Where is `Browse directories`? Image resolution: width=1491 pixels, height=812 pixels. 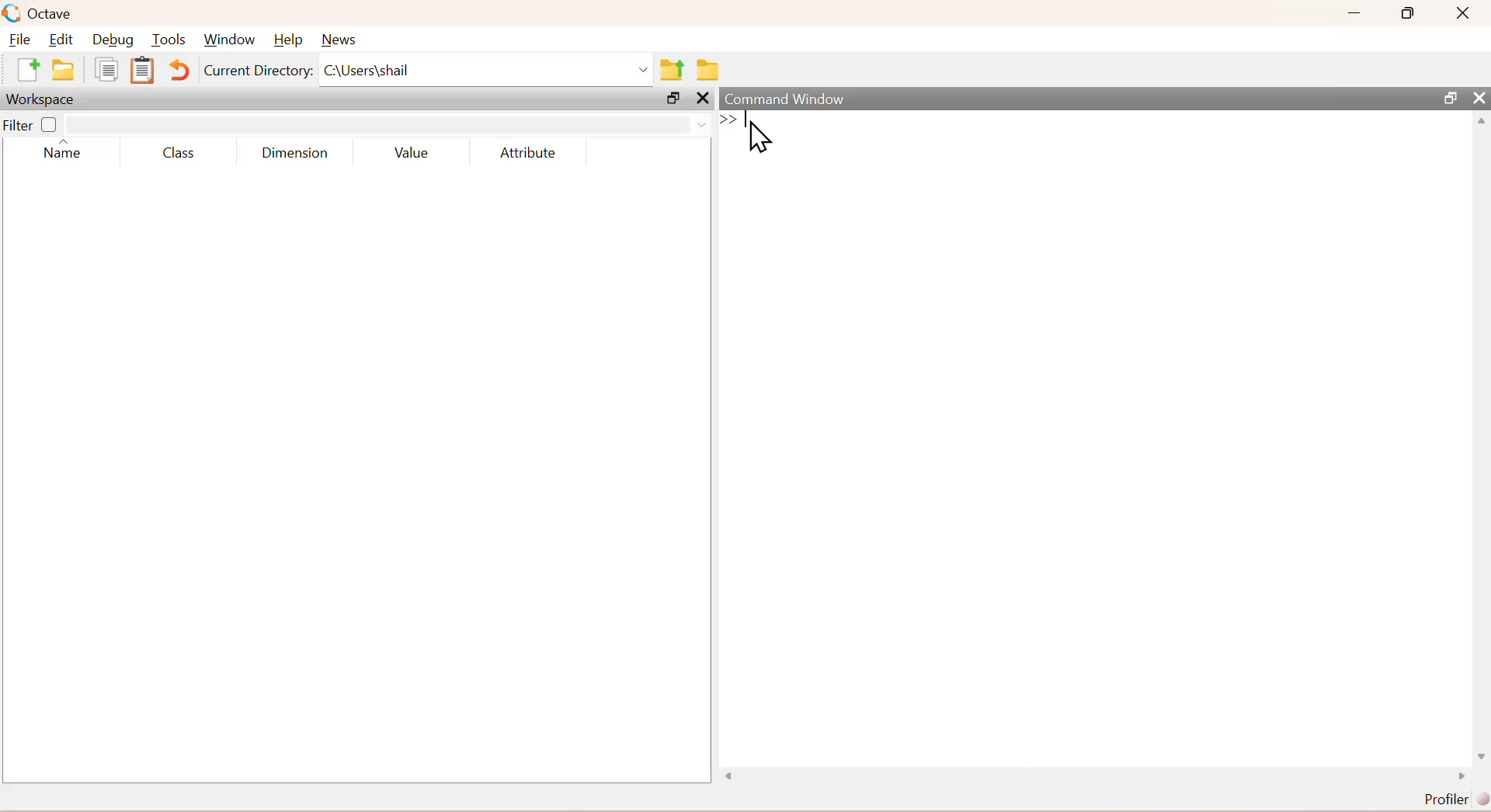 Browse directories is located at coordinates (708, 68).